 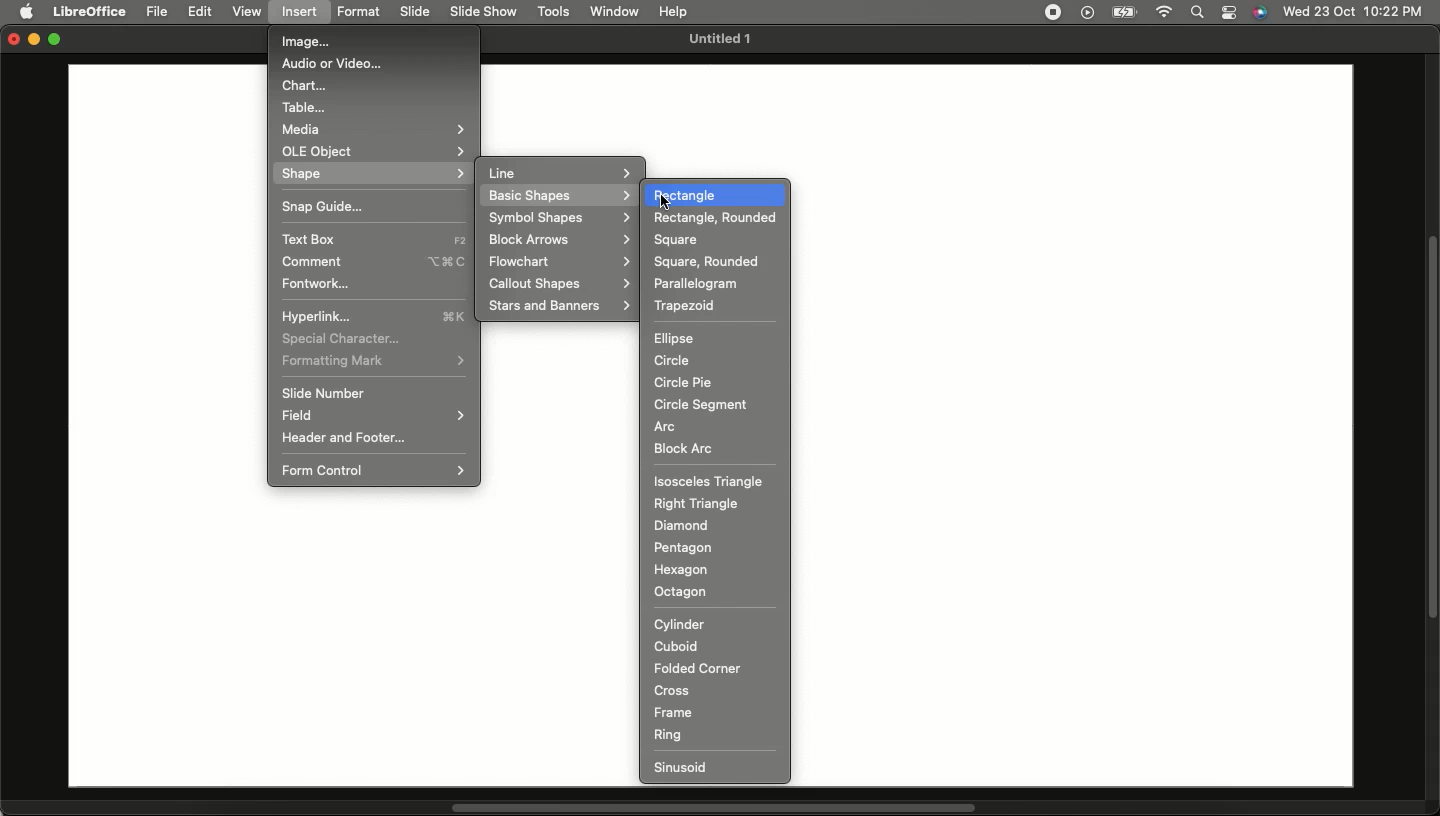 I want to click on Image, so click(x=304, y=43).